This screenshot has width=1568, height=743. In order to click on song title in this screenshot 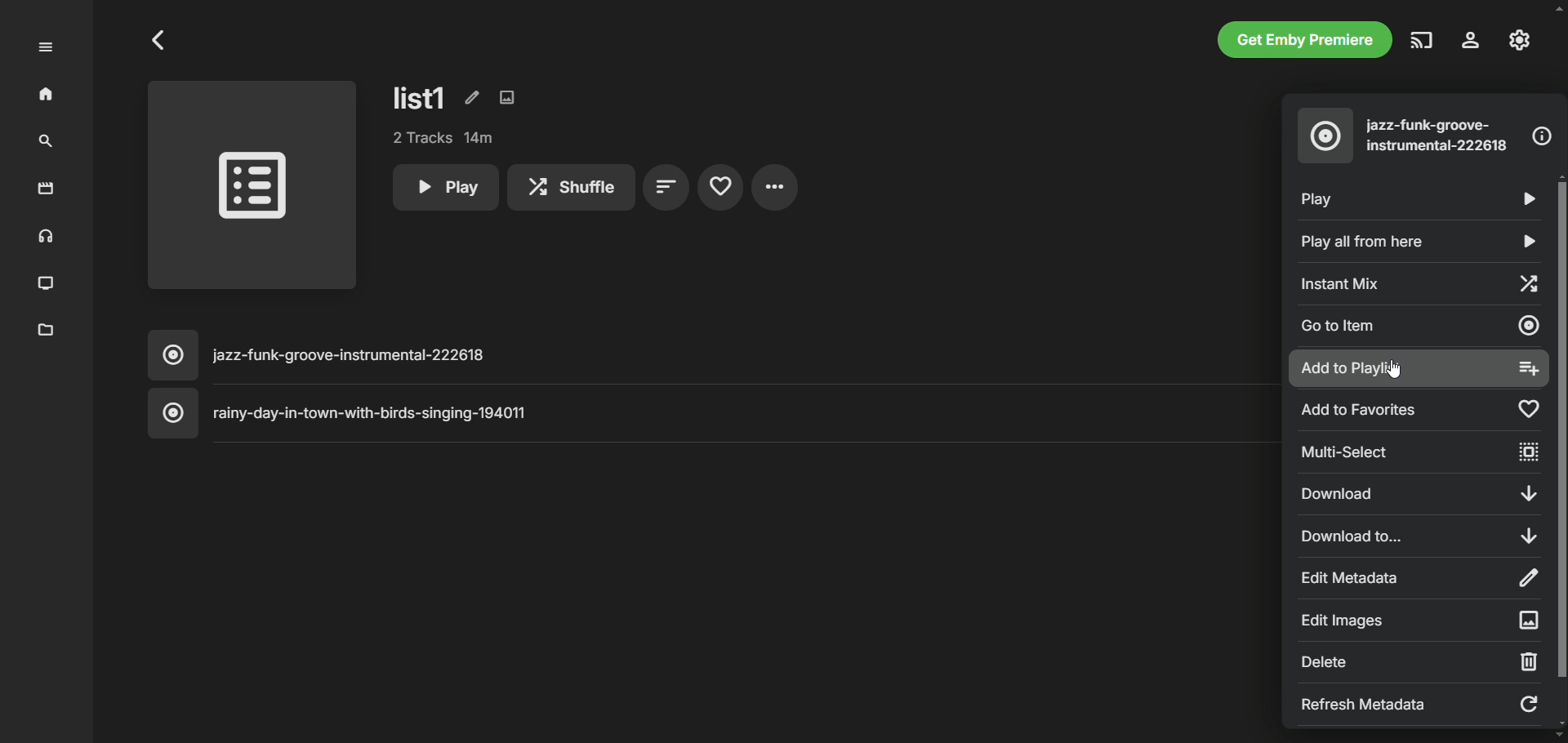, I will do `click(1440, 136)`.